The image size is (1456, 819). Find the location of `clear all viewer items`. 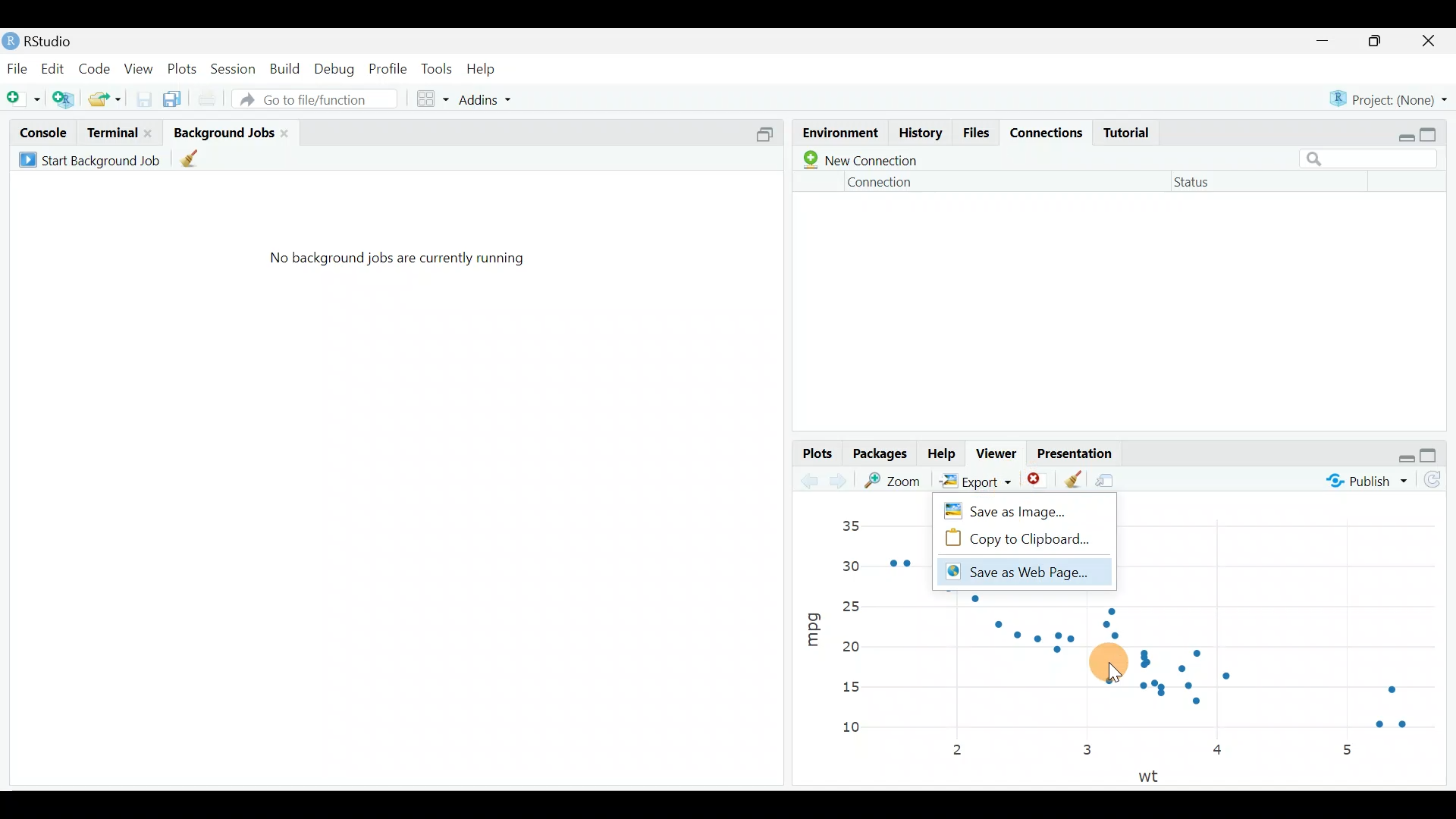

clear all viewer items is located at coordinates (1073, 477).